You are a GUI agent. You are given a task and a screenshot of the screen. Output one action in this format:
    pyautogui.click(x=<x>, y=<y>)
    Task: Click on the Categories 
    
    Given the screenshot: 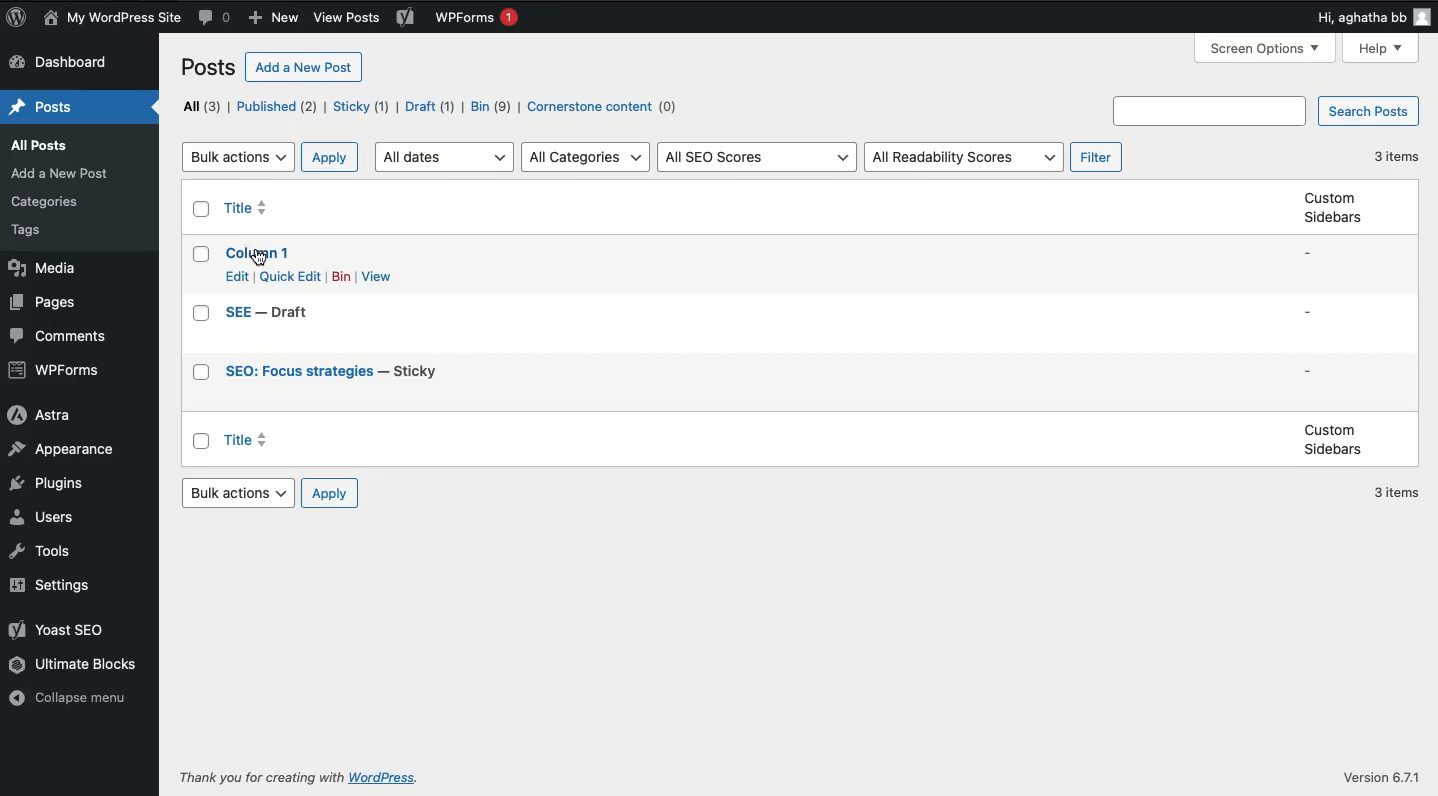 What is the action you would take?
    pyautogui.click(x=44, y=202)
    